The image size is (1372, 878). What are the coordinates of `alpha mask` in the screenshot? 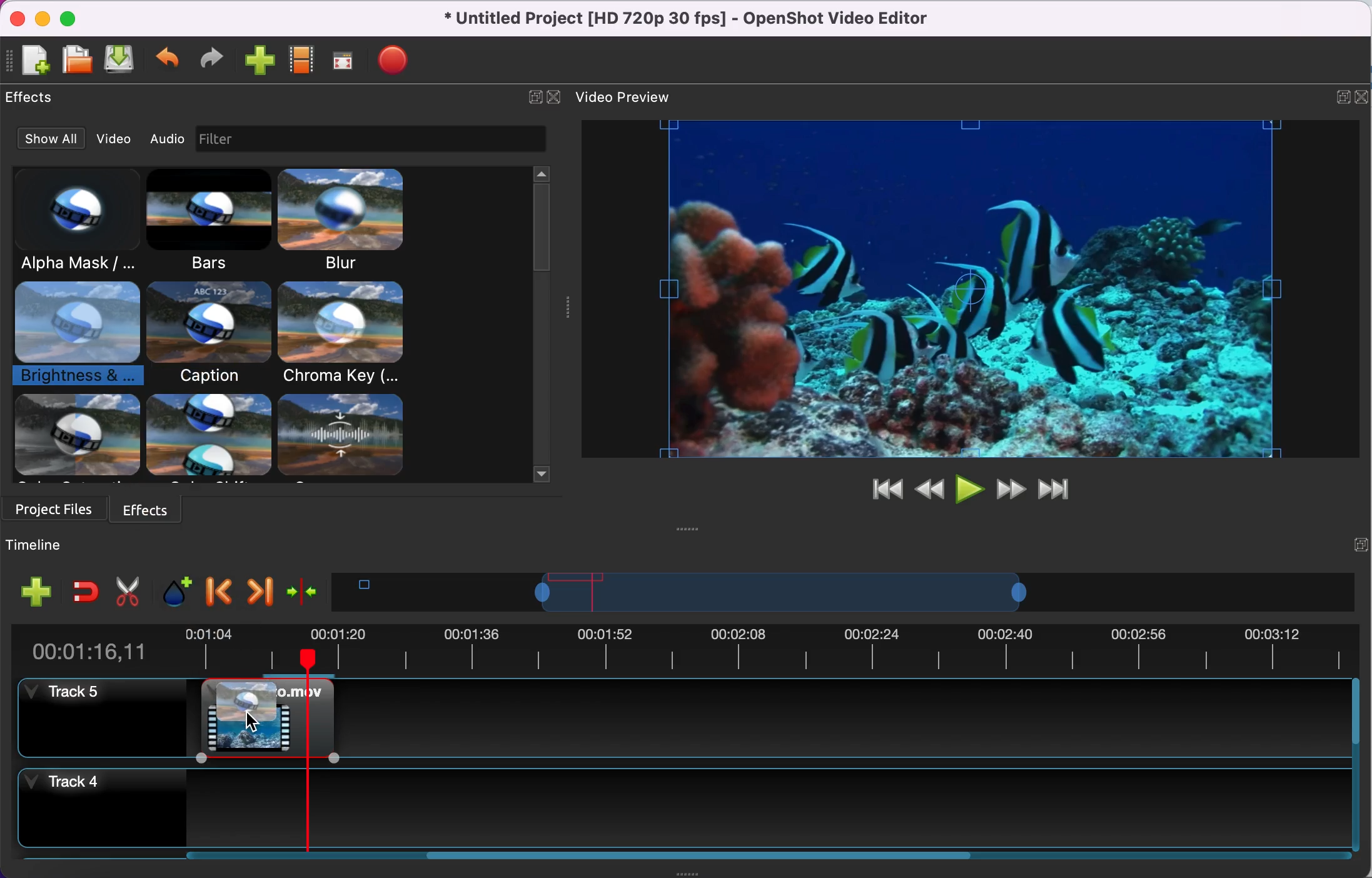 It's located at (79, 221).